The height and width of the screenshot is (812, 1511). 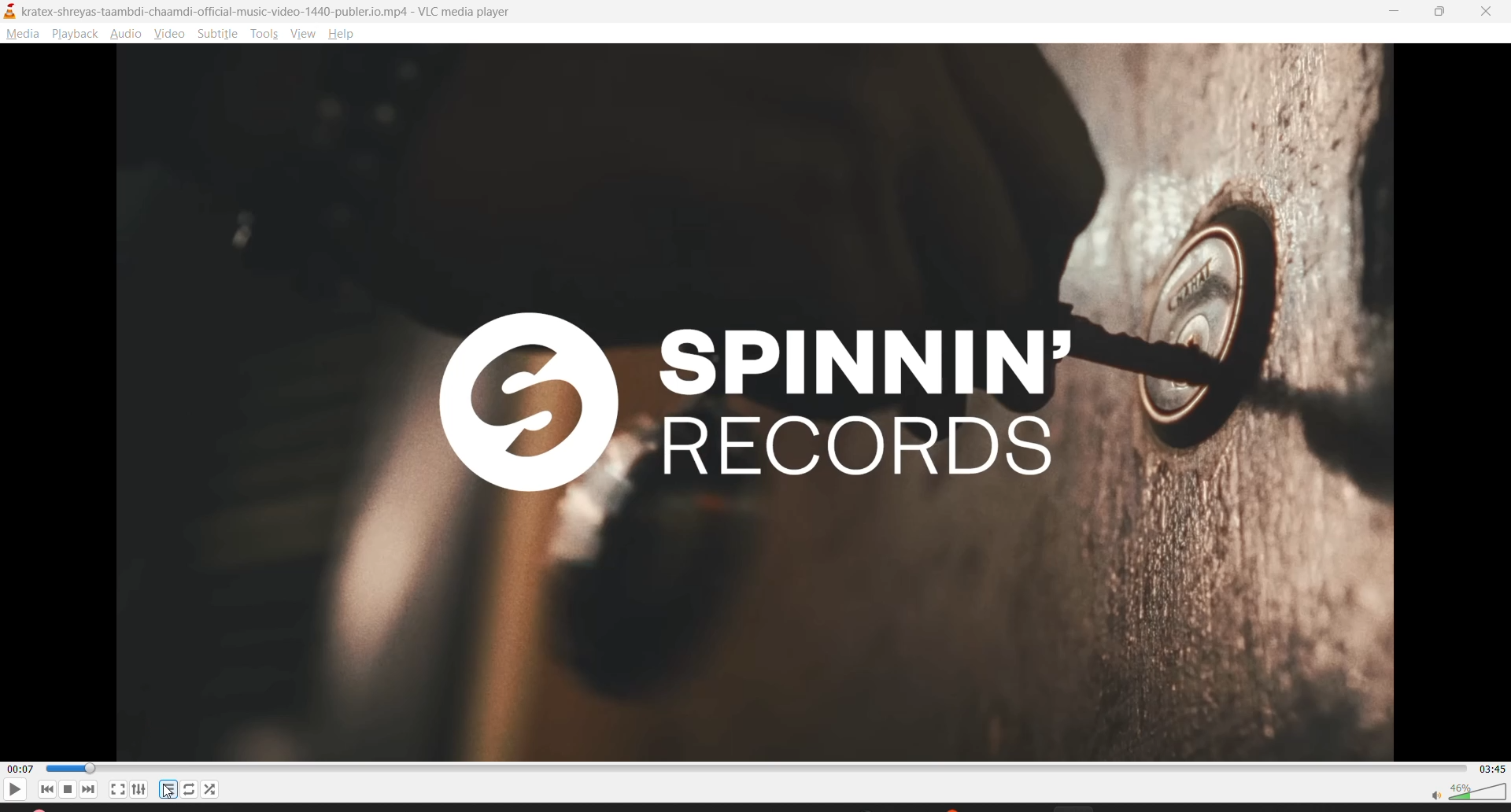 What do you see at coordinates (1483, 13) in the screenshot?
I see `close` at bounding box center [1483, 13].